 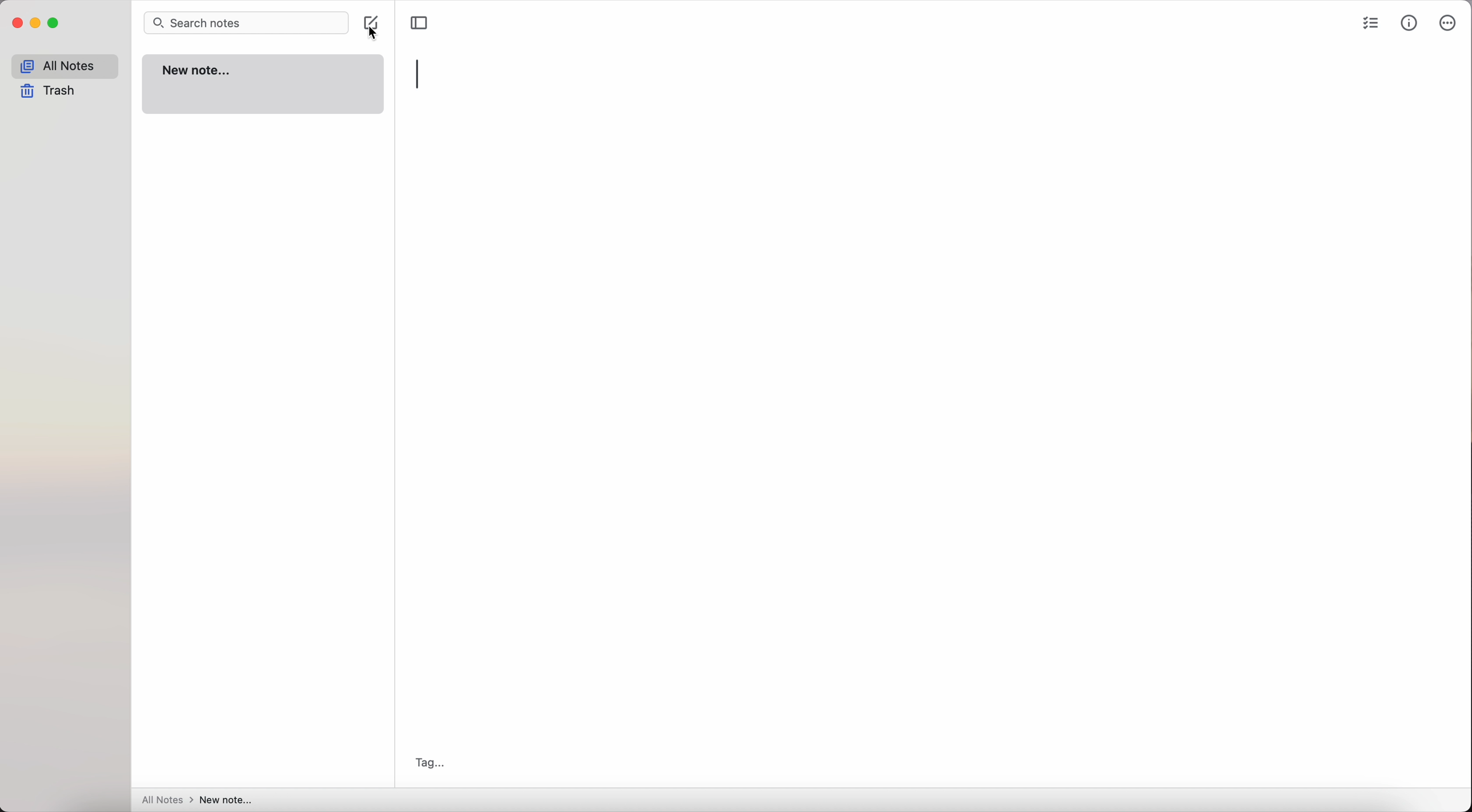 I want to click on check list, so click(x=1370, y=25).